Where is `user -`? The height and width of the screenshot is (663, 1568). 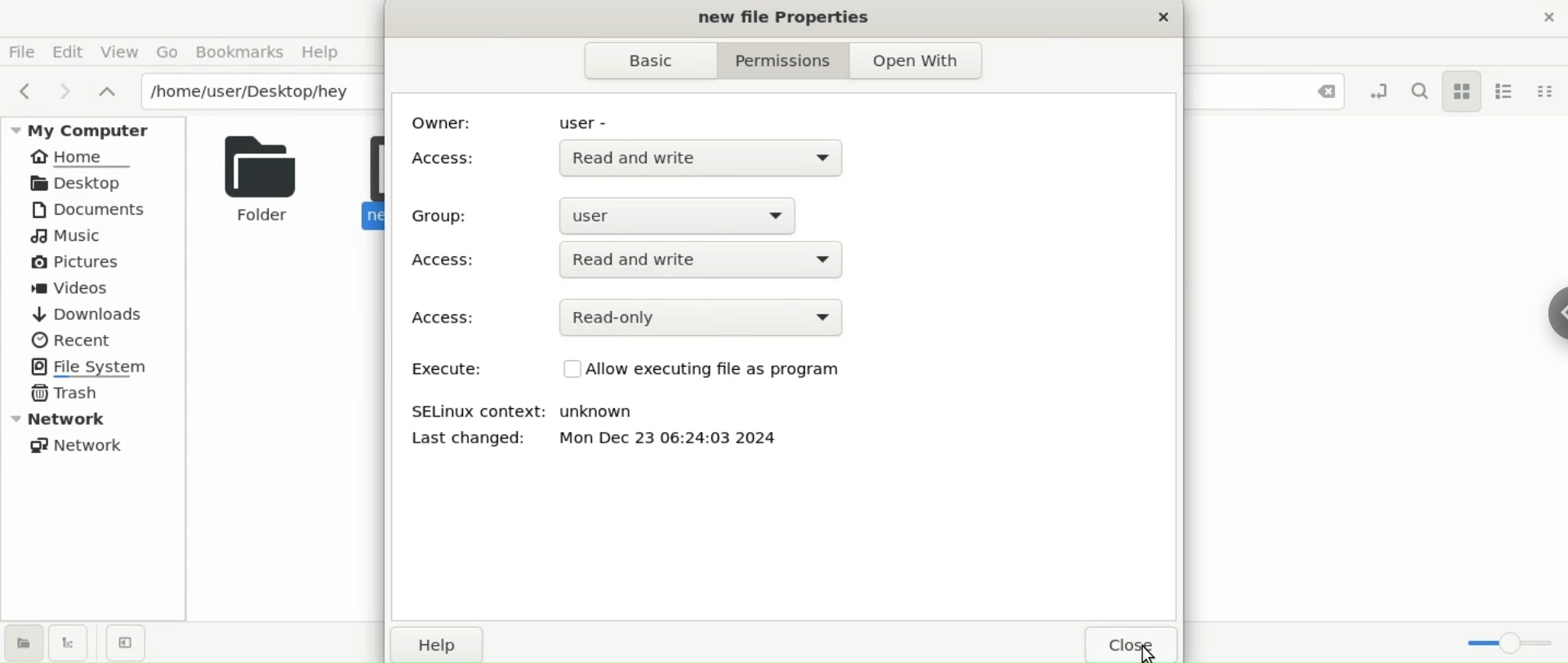
user - is located at coordinates (586, 122).